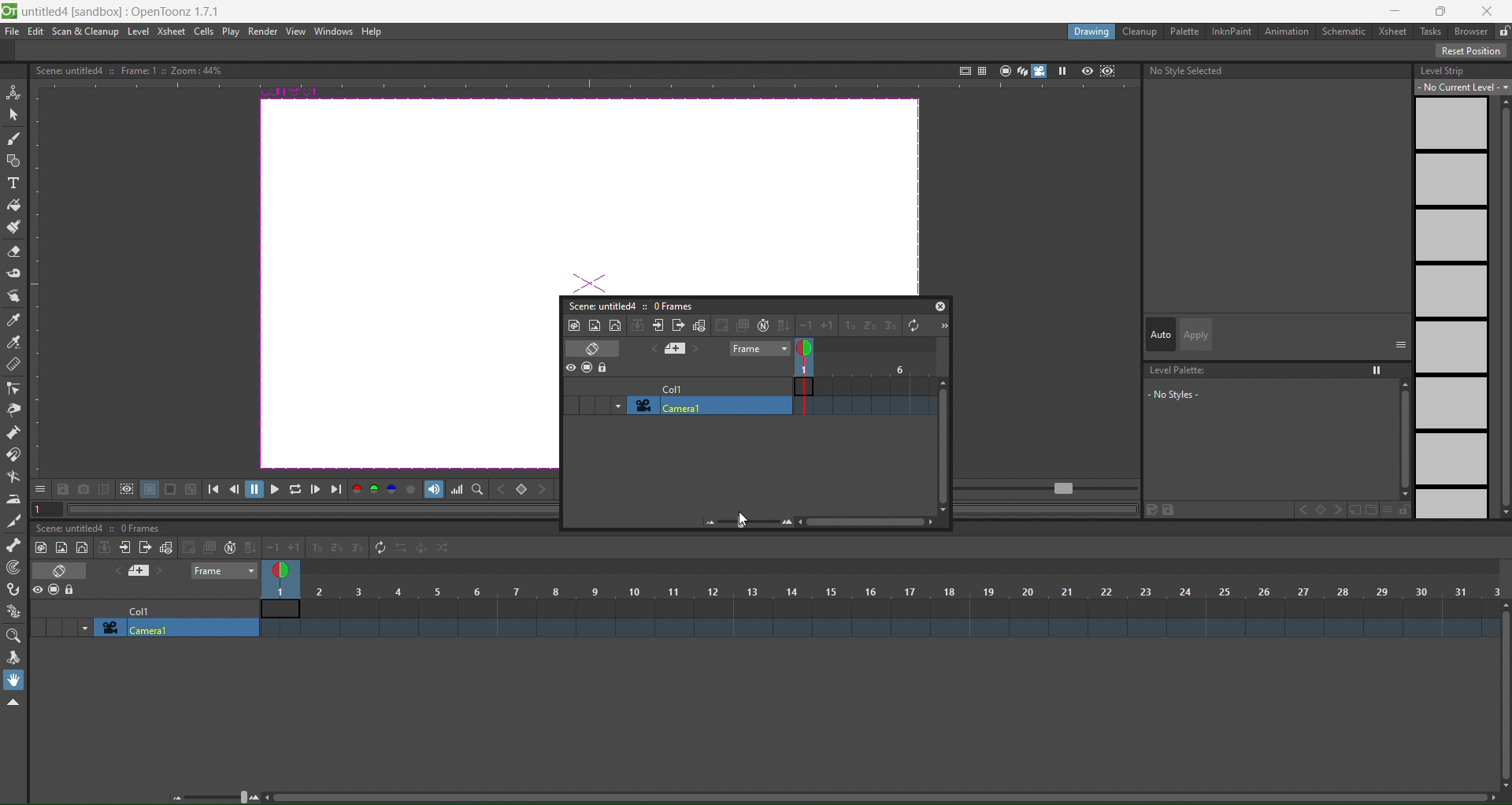  I want to click on camera1, so click(707, 405).